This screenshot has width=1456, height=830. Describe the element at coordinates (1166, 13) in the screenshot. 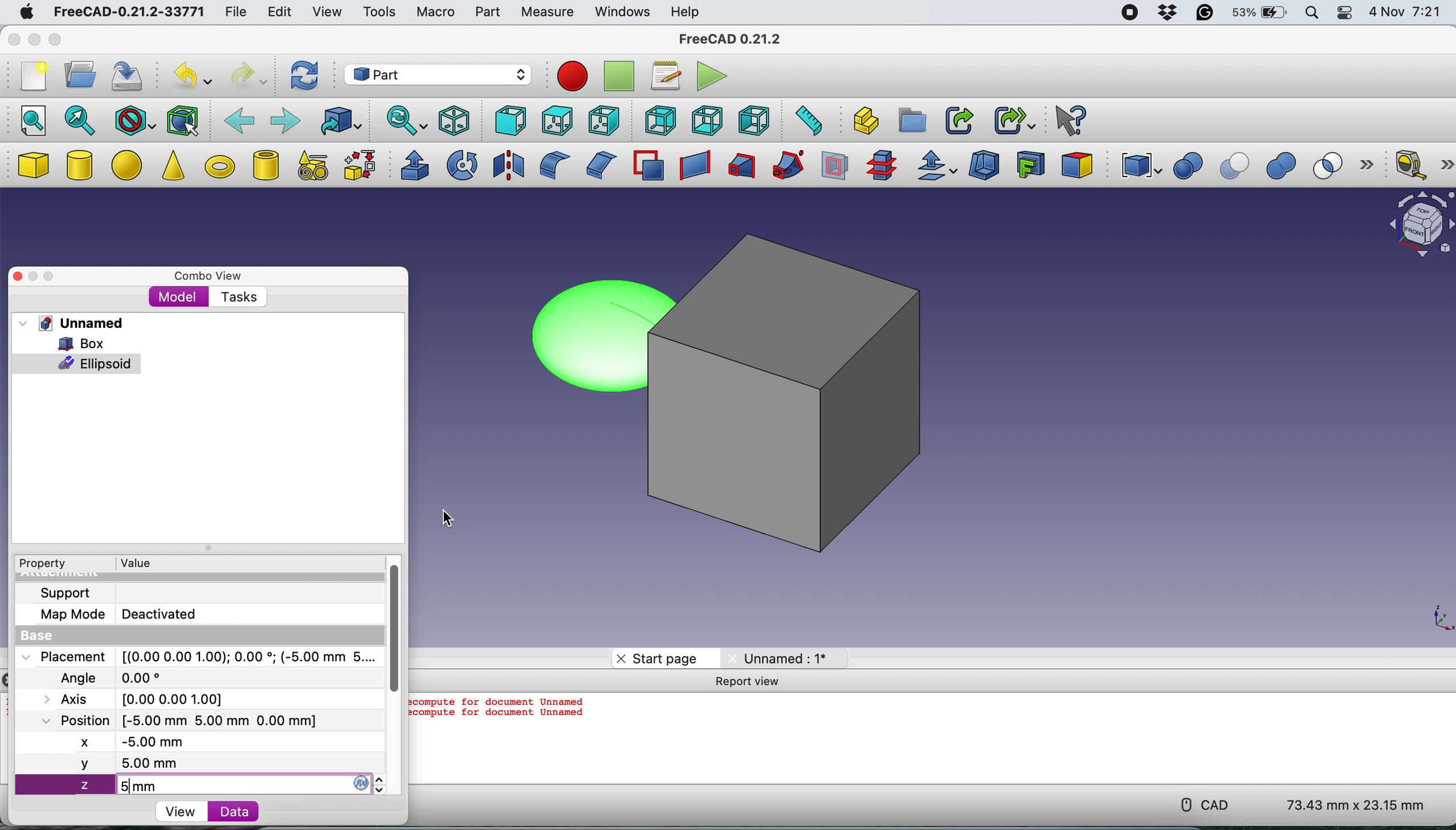

I see `dropbox` at that location.